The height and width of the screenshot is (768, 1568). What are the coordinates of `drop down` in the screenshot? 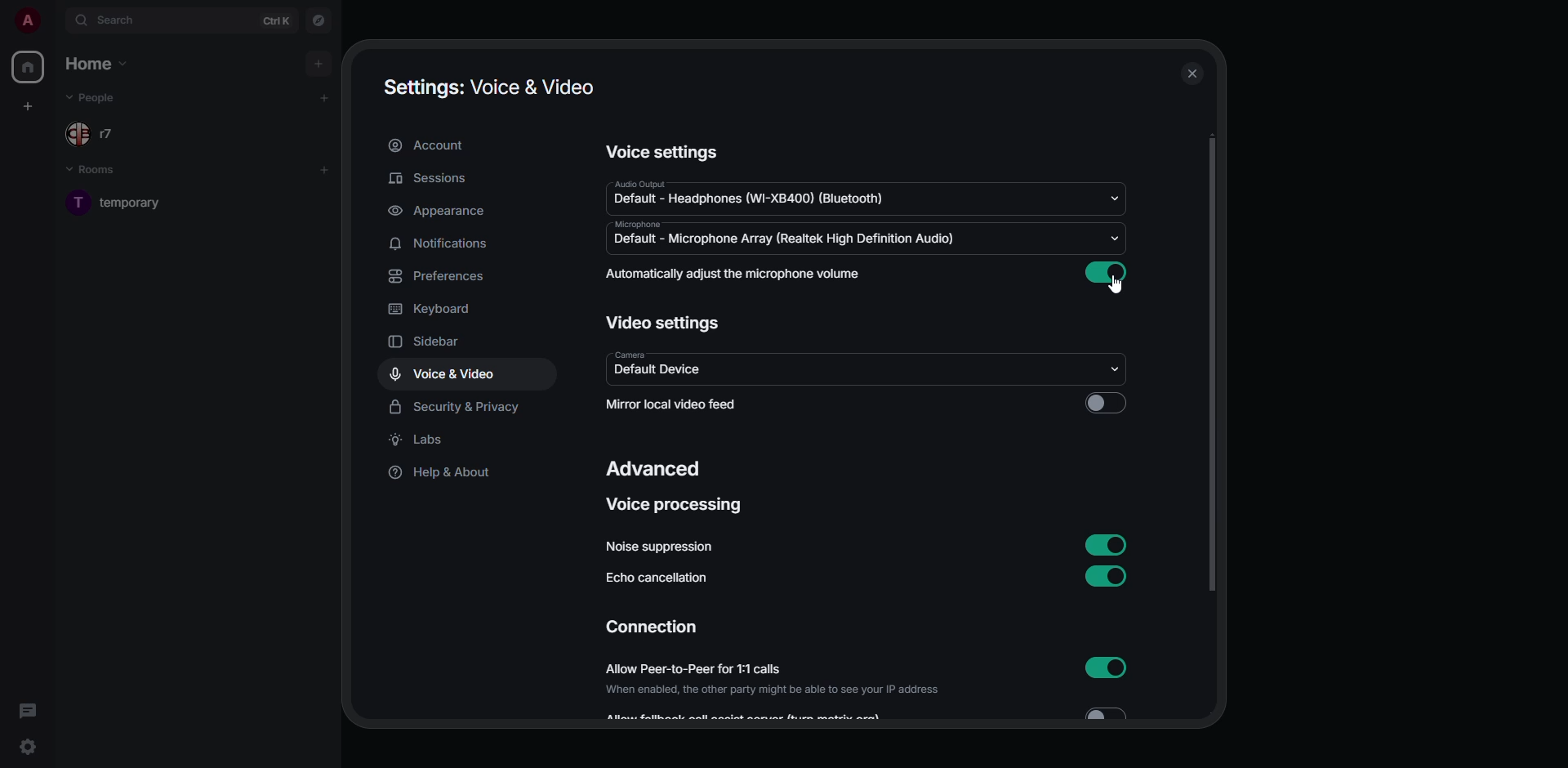 It's located at (1115, 238).